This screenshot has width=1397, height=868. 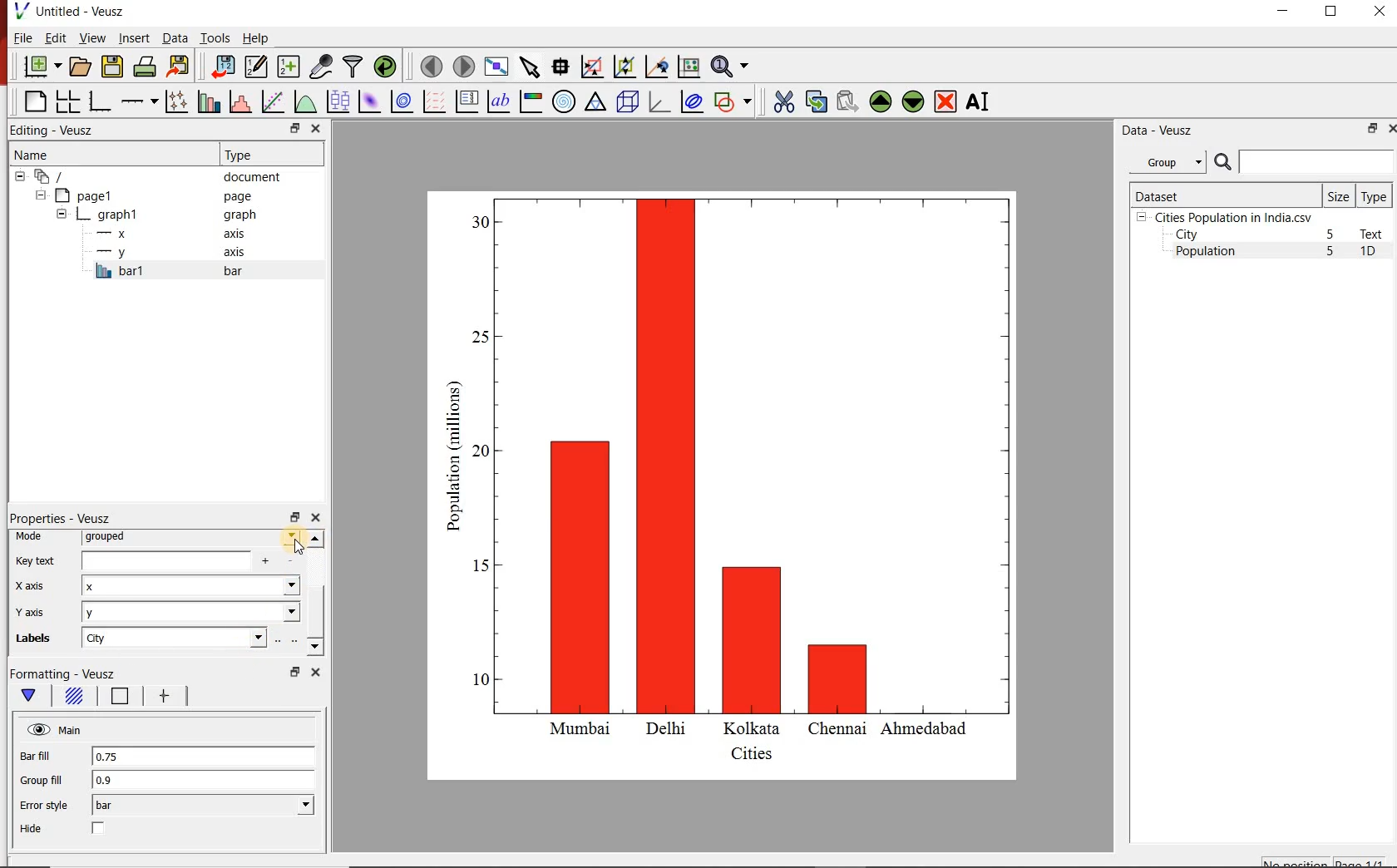 What do you see at coordinates (733, 101) in the screenshot?
I see `add a shape to the plot` at bounding box center [733, 101].